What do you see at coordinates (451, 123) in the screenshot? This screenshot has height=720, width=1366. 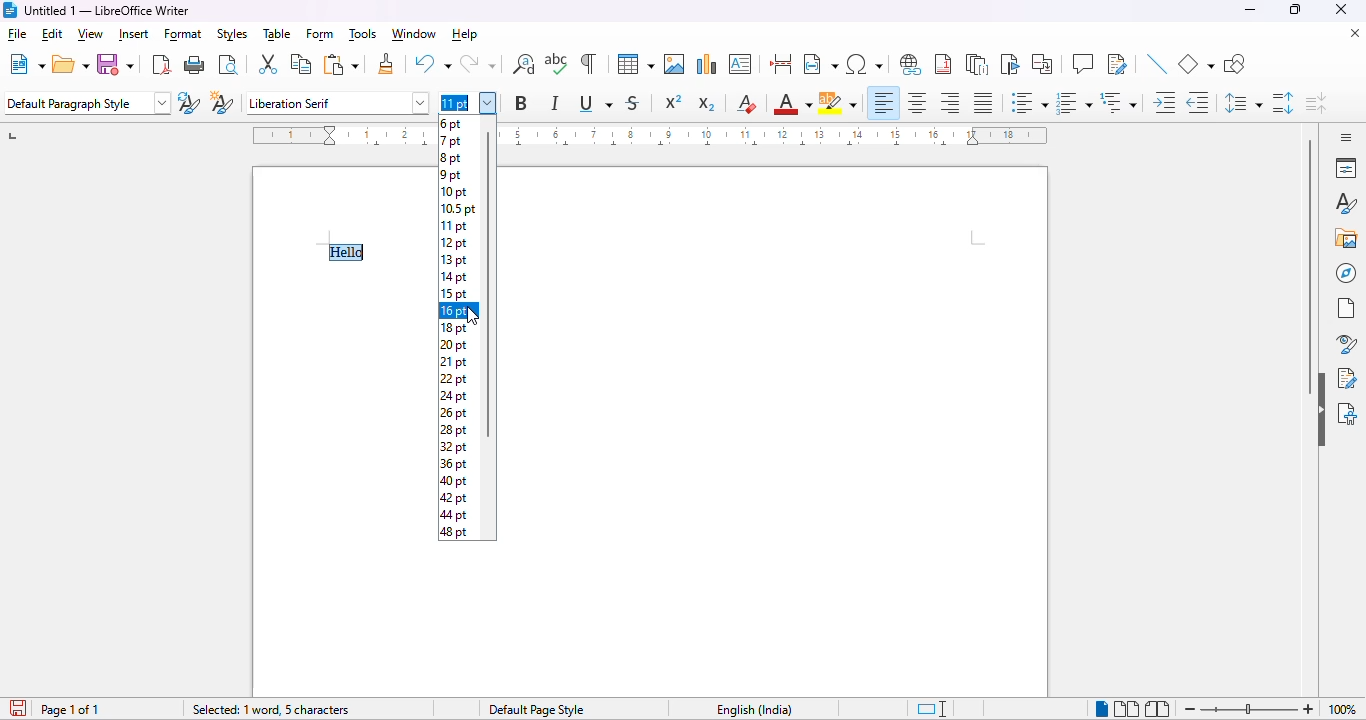 I see `6 pt` at bounding box center [451, 123].